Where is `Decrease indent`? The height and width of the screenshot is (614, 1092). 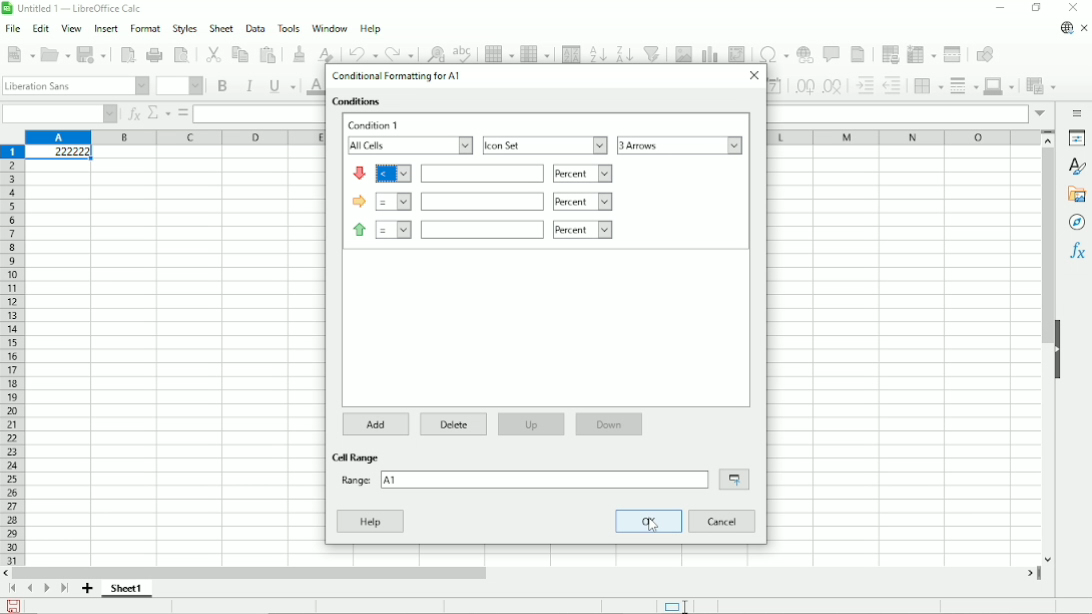 Decrease indent is located at coordinates (894, 86).